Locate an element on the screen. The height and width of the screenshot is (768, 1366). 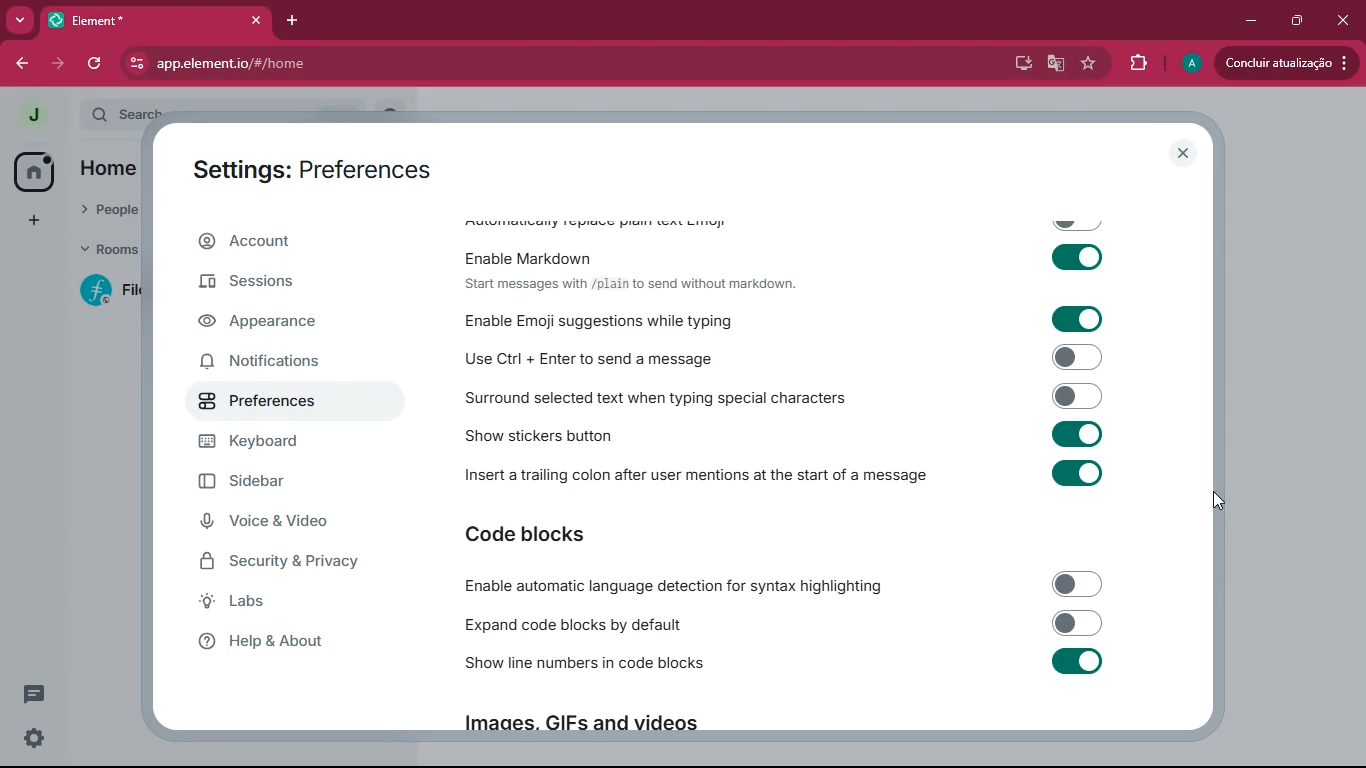
home is located at coordinates (108, 170).